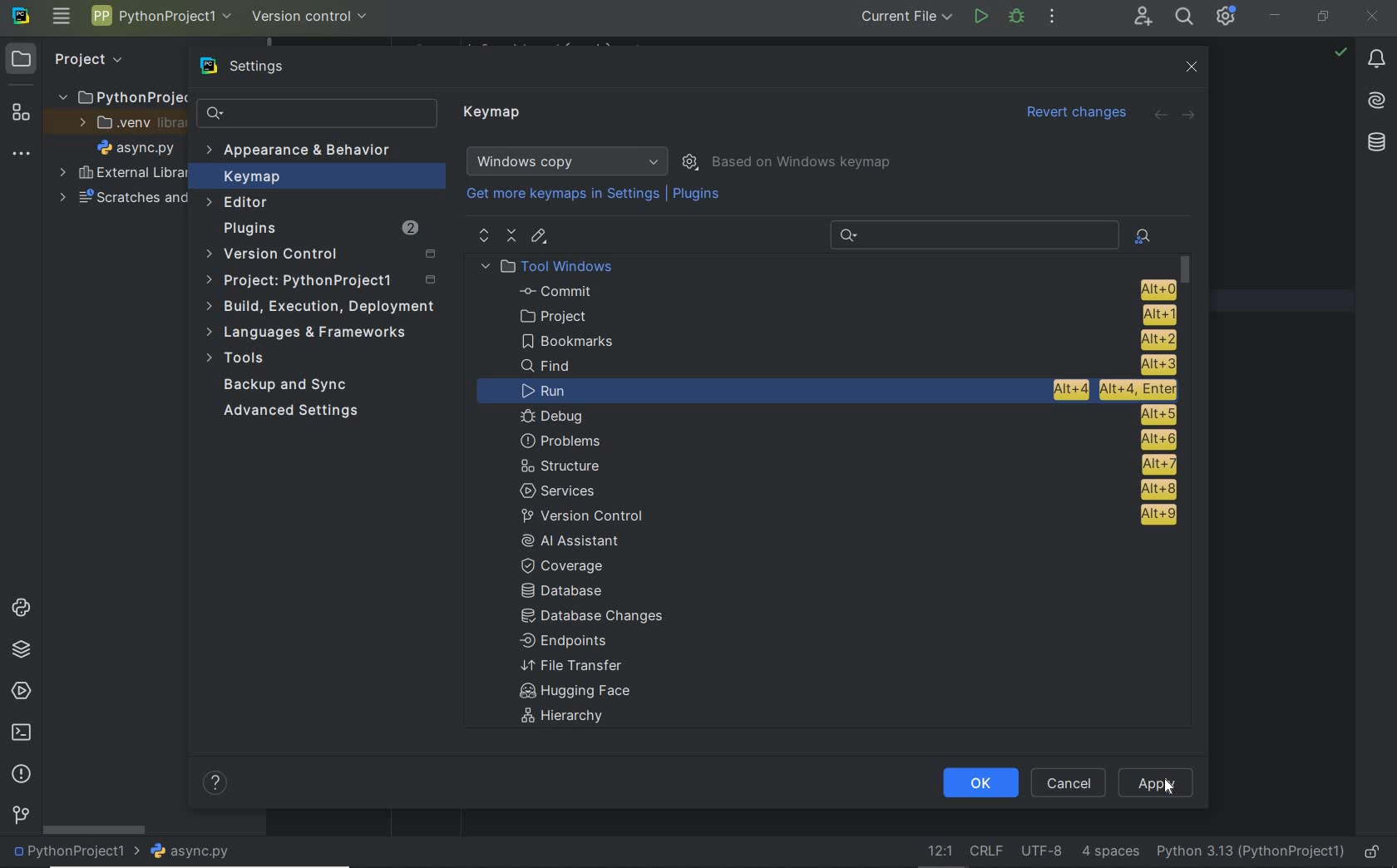 This screenshot has height=868, width=1397. Describe the element at coordinates (21, 17) in the screenshot. I see `system name` at that location.